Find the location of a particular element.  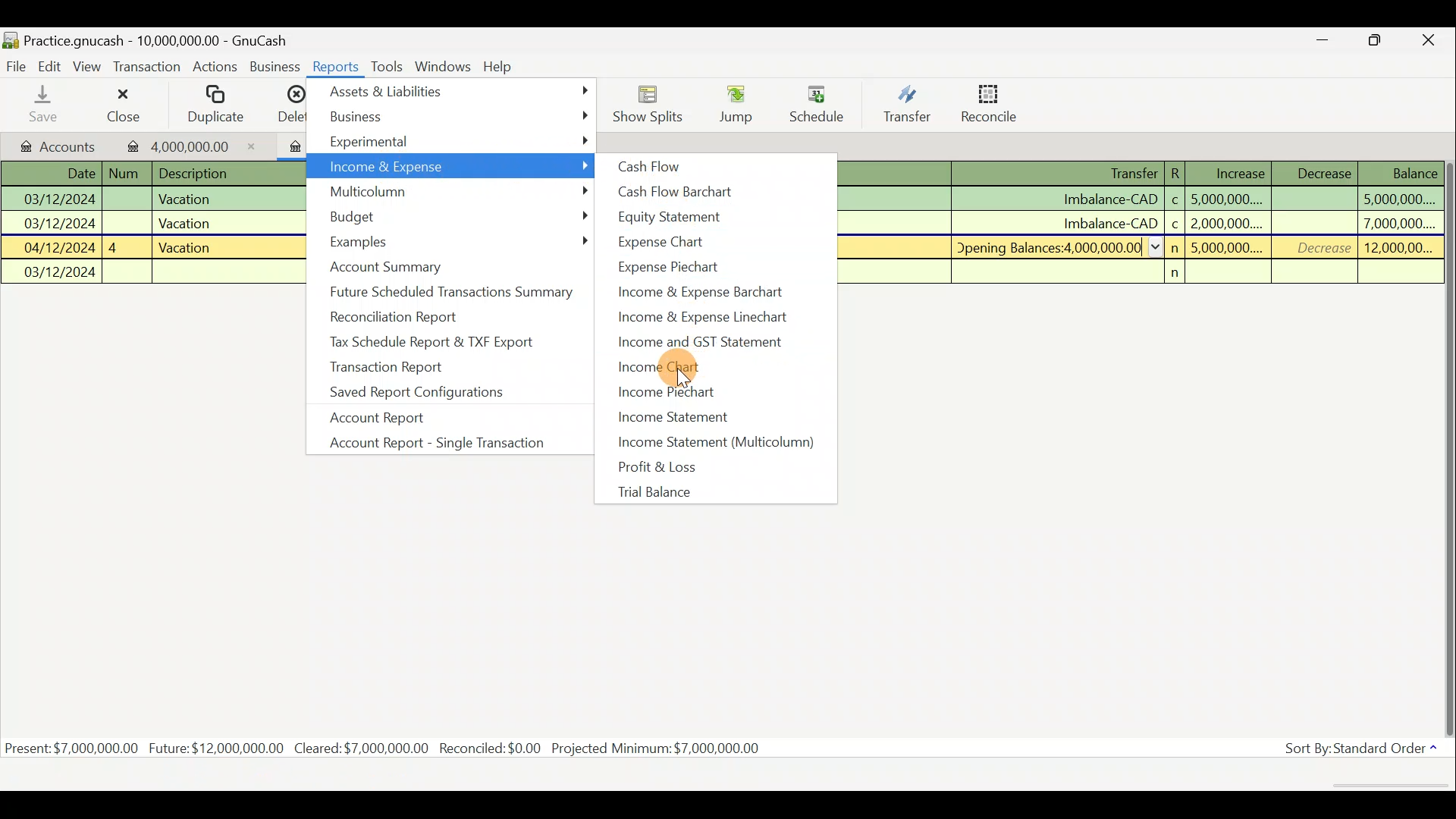

Minimize is located at coordinates (1318, 42).